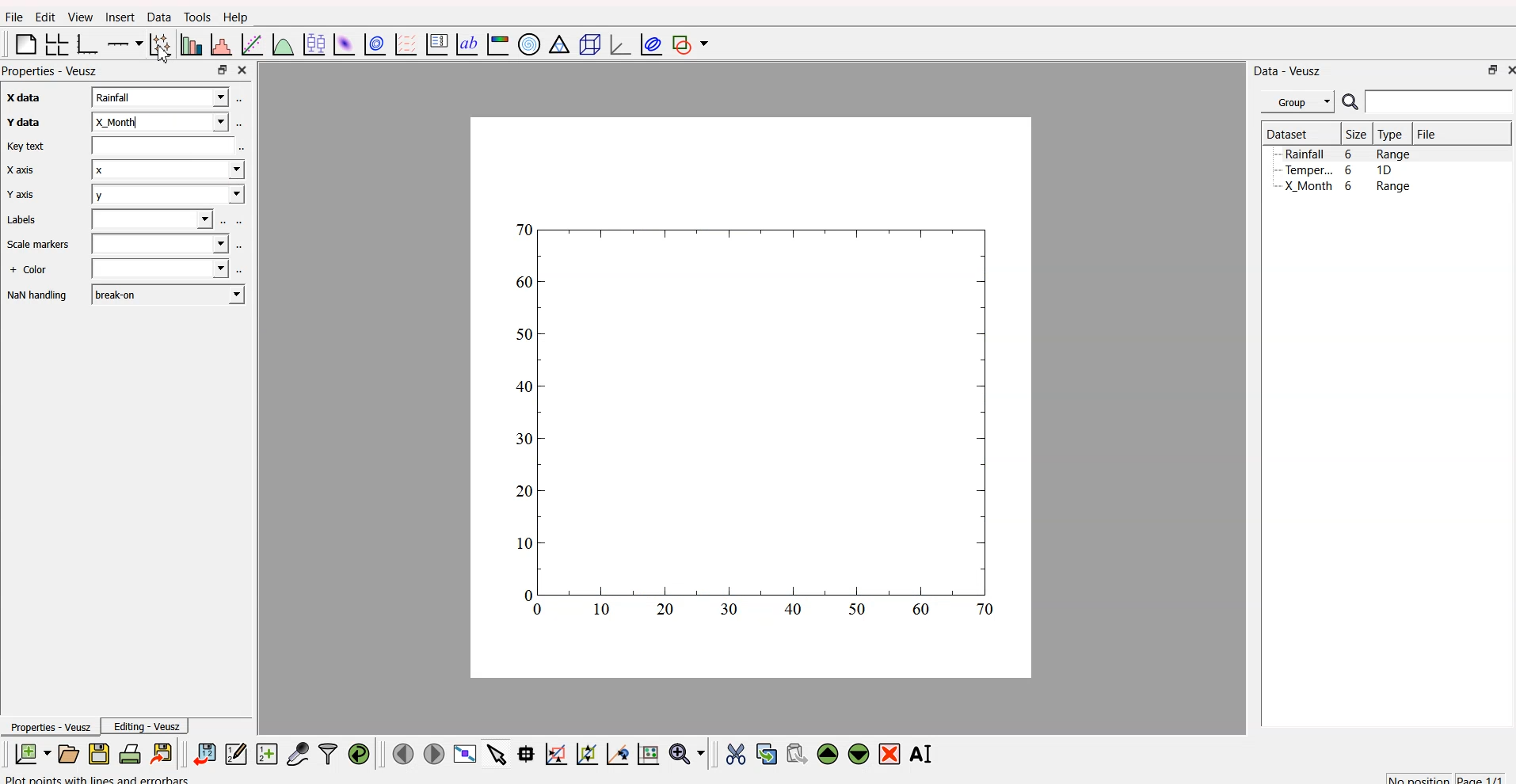  What do you see at coordinates (404, 45) in the screenshot?
I see `plot a vector field` at bounding box center [404, 45].